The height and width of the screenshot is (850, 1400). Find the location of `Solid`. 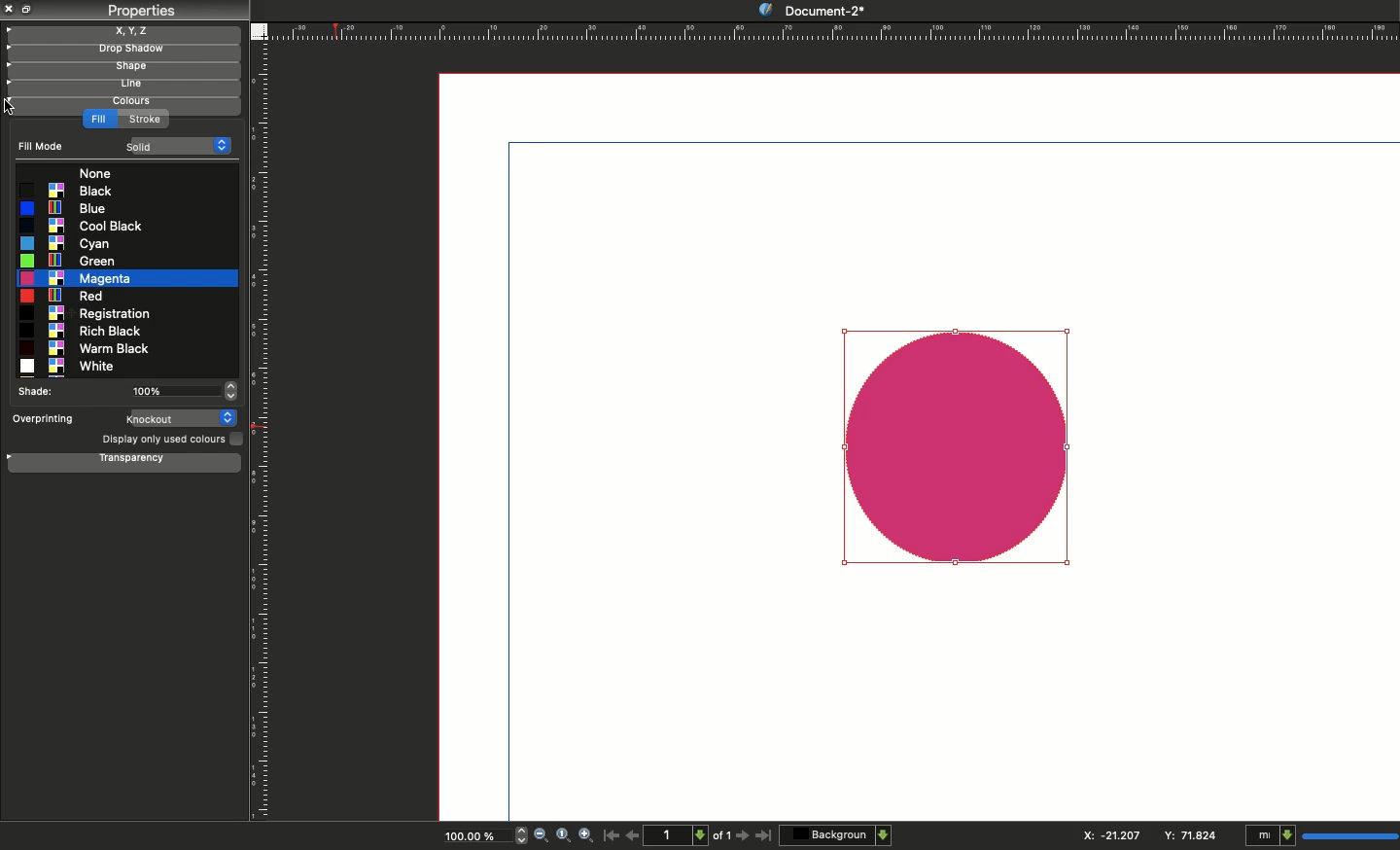

Solid is located at coordinates (177, 145).